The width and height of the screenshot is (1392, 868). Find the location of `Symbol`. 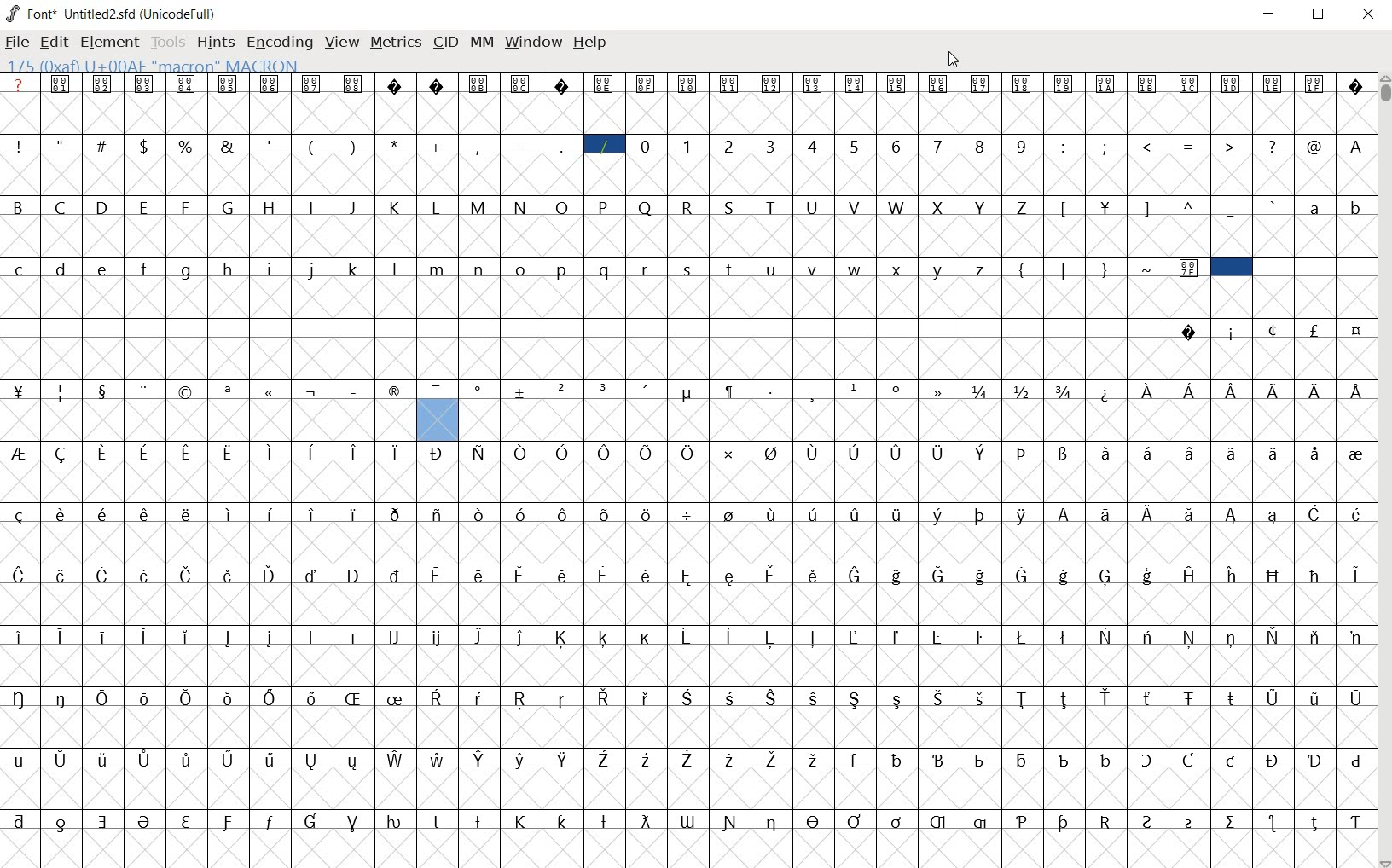

Symbol is located at coordinates (520, 574).